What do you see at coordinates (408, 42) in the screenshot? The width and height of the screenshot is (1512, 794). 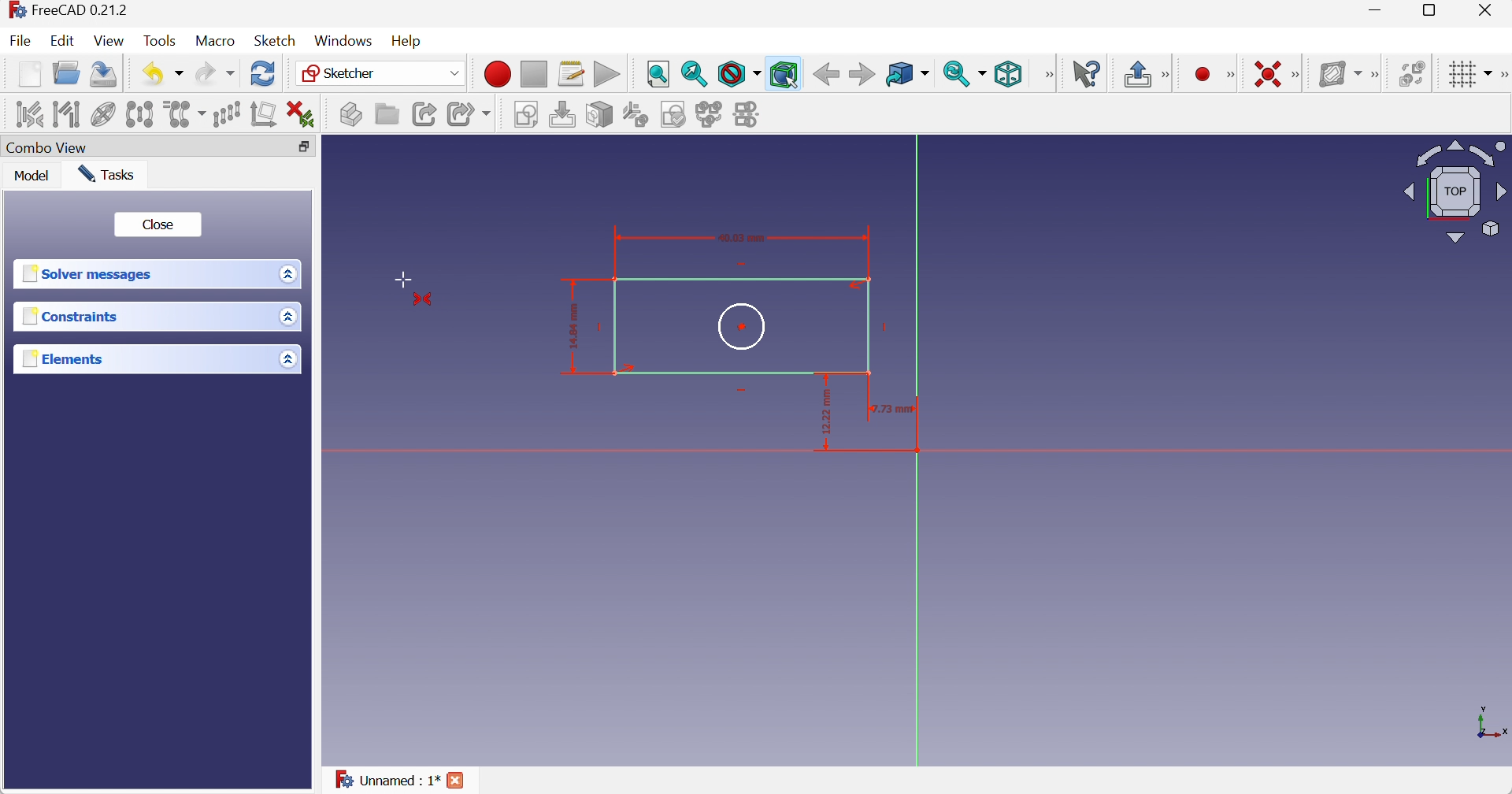 I see `Help` at bounding box center [408, 42].